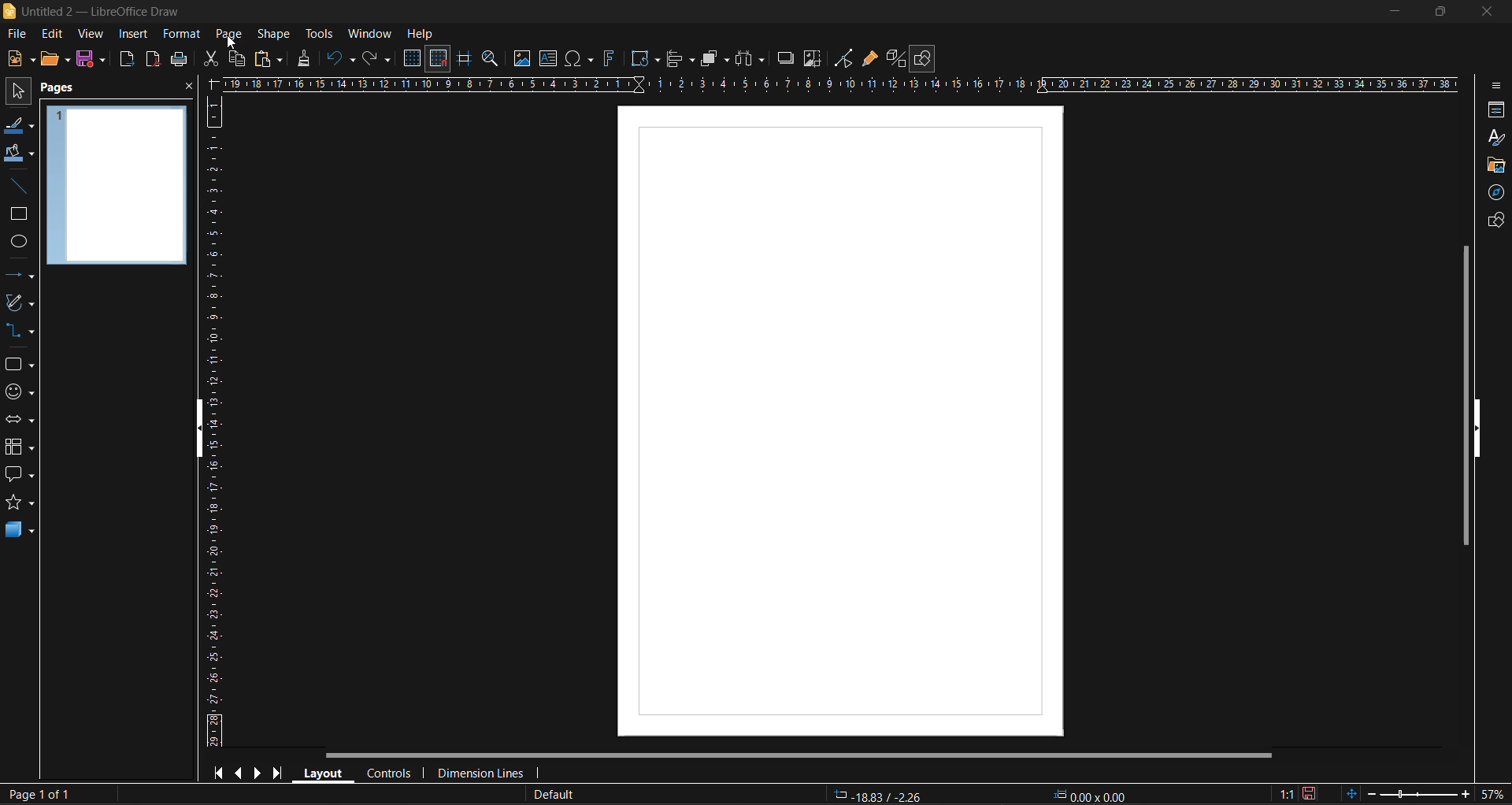 The image size is (1512, 805). I want to click on crop image, so click(812, 61).